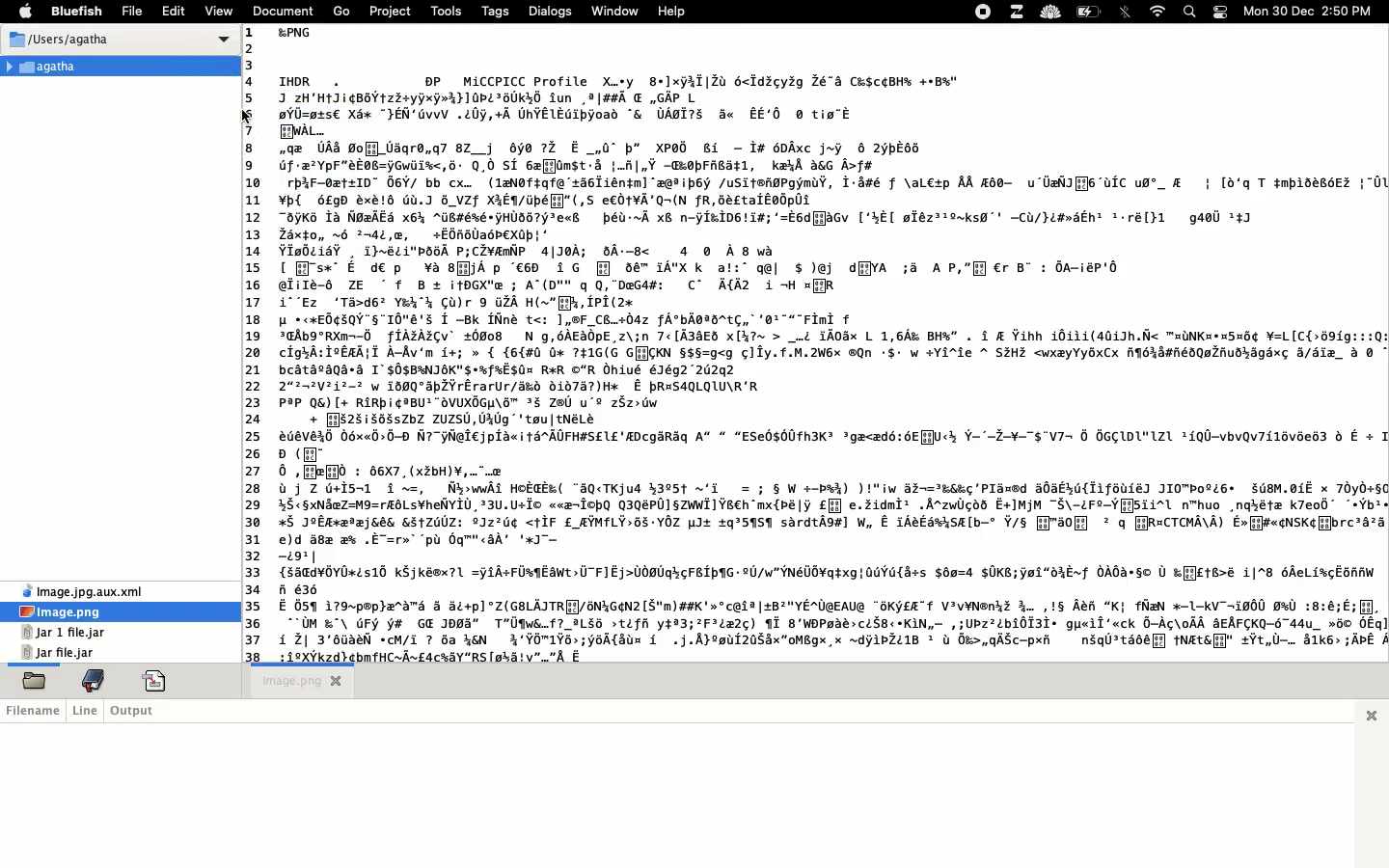 The height and width of the screenshot is (868, 1389). Describe the element at coordinates (132, 10) in the screenshot. I see `file` at that location.